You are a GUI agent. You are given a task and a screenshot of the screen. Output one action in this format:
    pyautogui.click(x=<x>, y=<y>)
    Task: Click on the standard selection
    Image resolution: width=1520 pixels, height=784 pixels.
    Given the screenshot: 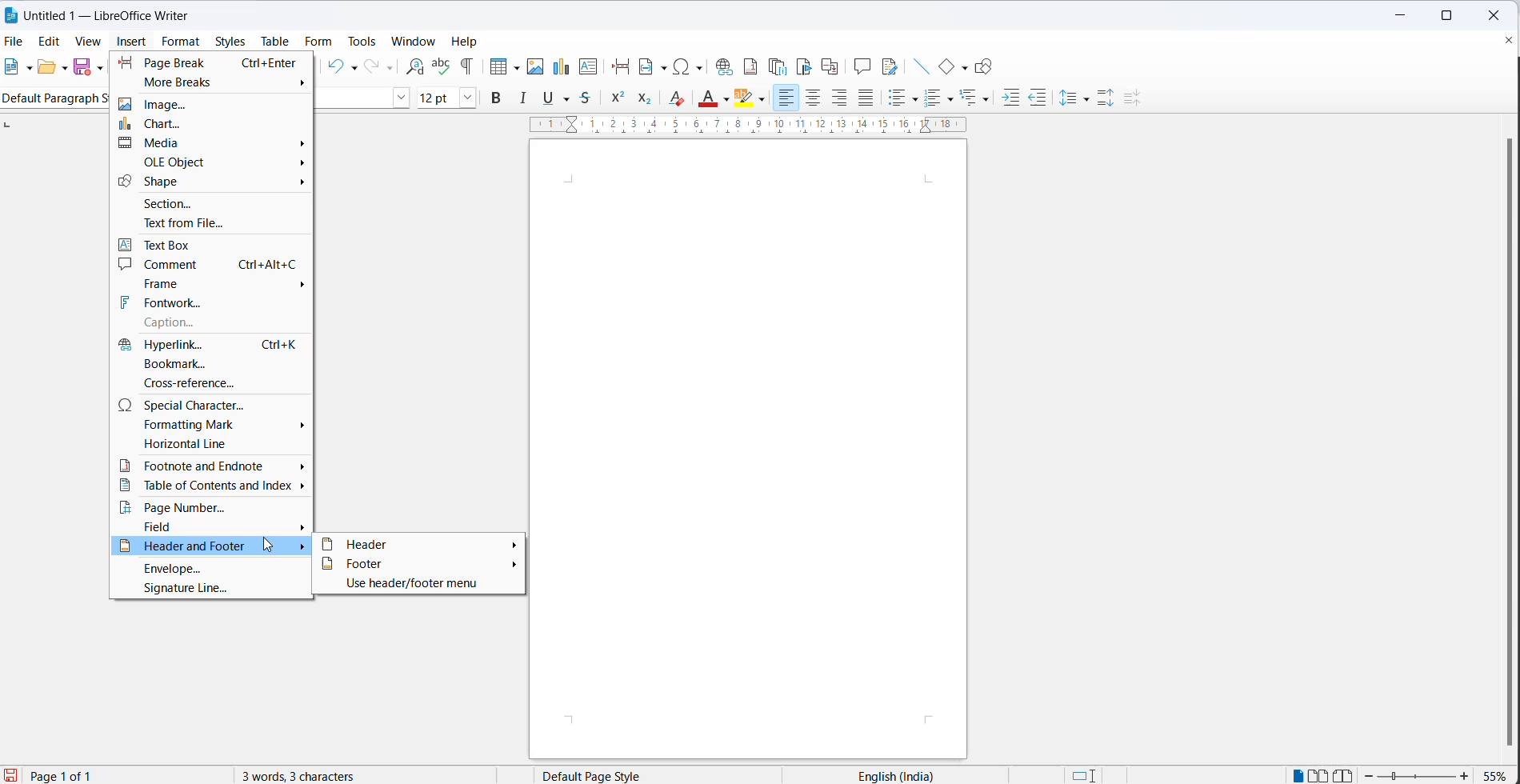 What is the action you would take?
    pyautogui.click(x=1087, y=775)
    